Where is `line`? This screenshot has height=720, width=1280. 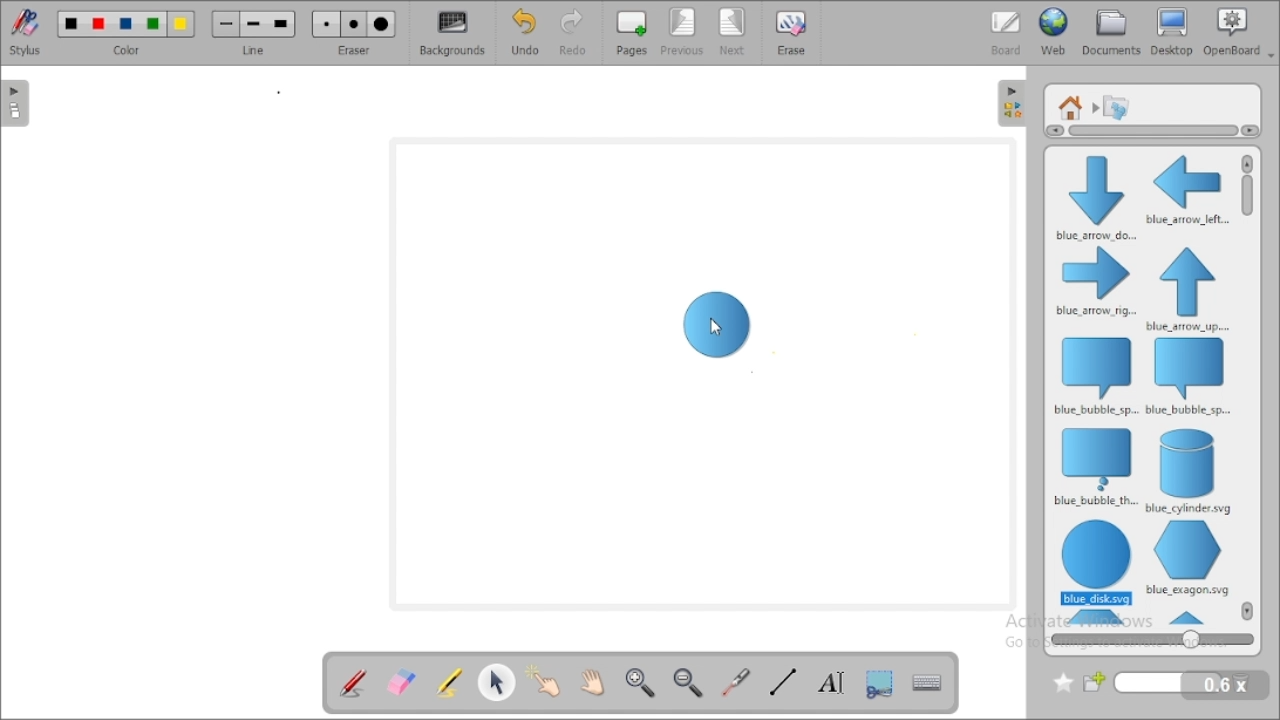
line is located at coordinates (254, 32).